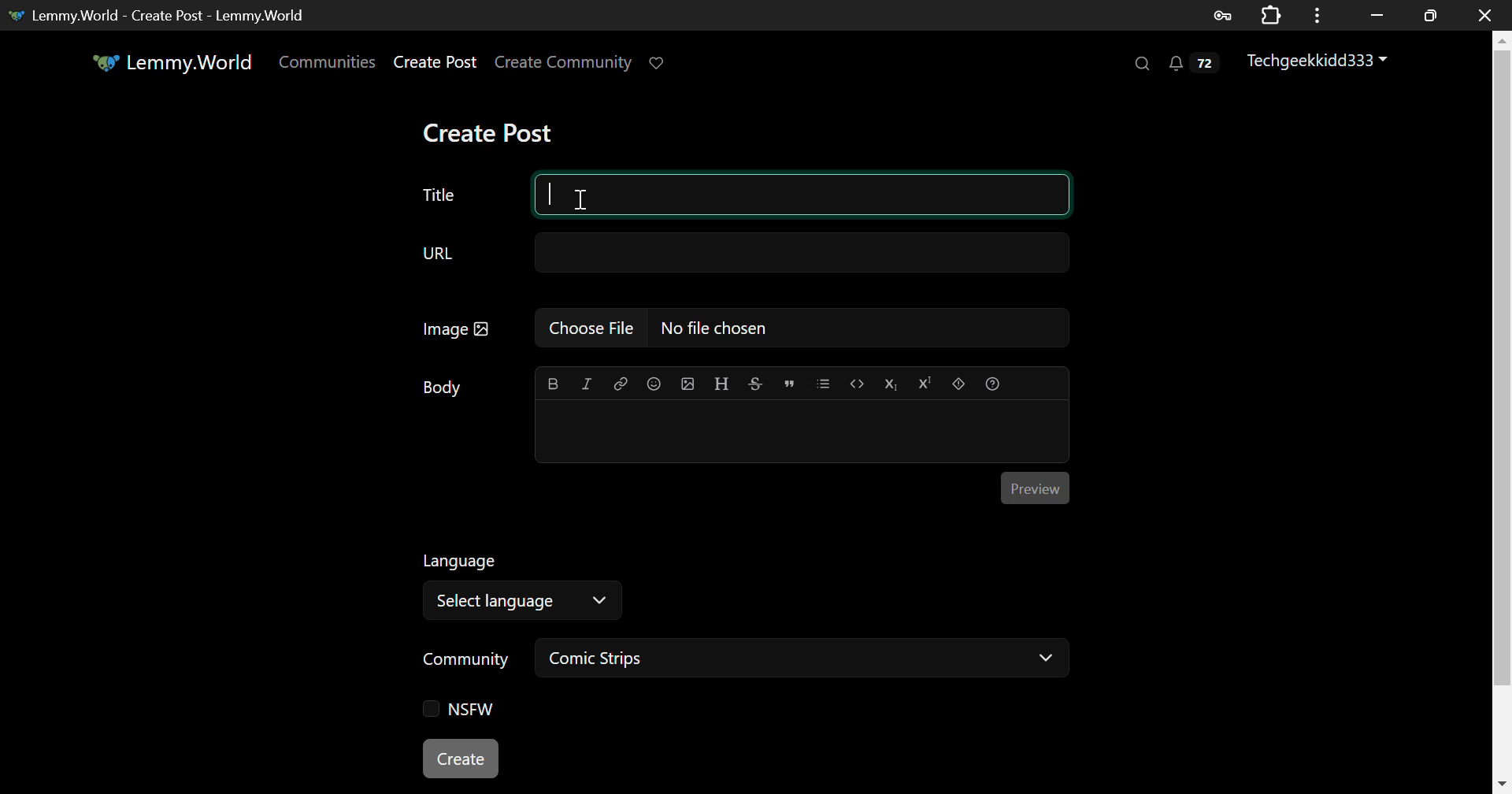  I want to click on Techgeekkidd333, so click(1319, 62).